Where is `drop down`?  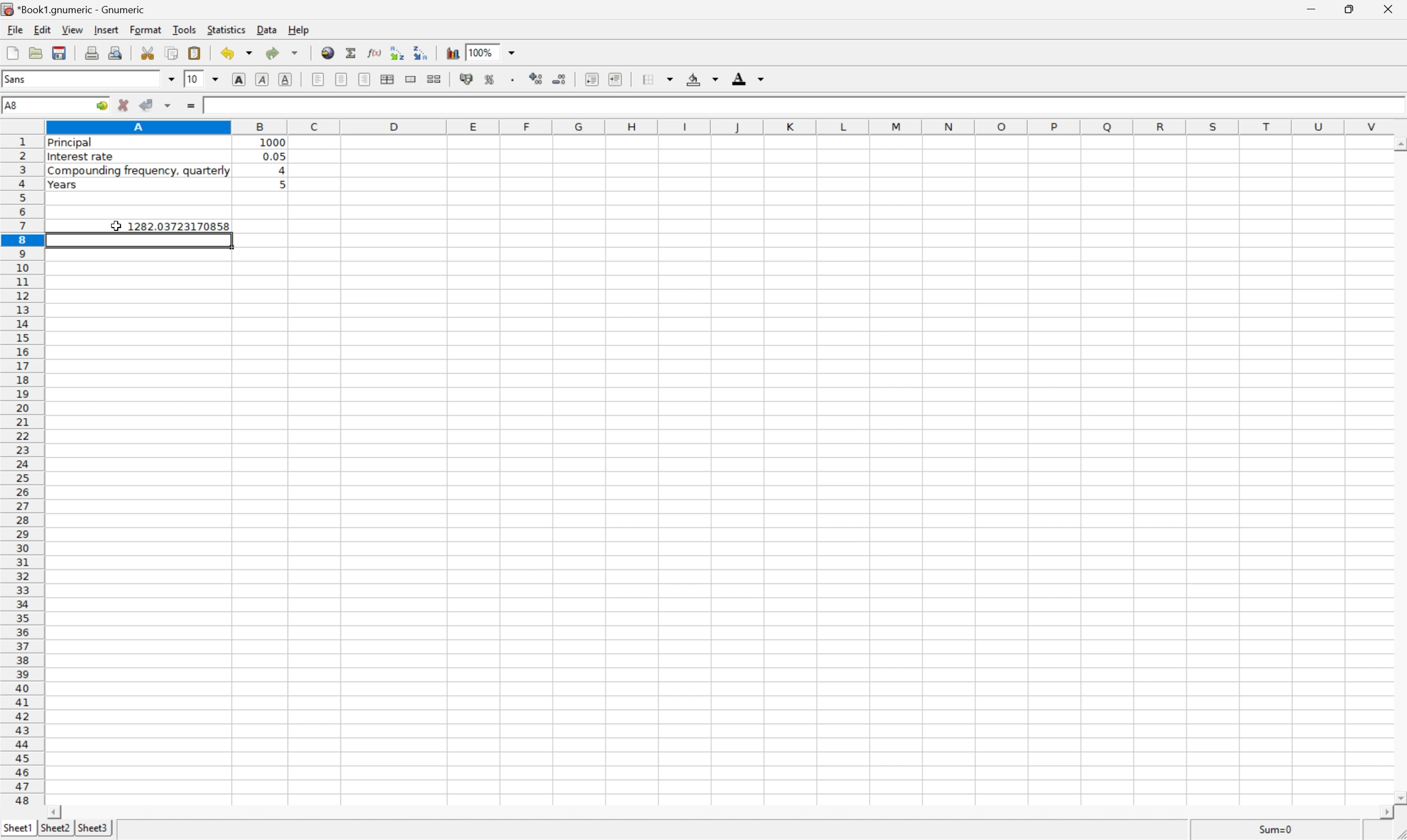 drop down is located at coordinates (513, 53).